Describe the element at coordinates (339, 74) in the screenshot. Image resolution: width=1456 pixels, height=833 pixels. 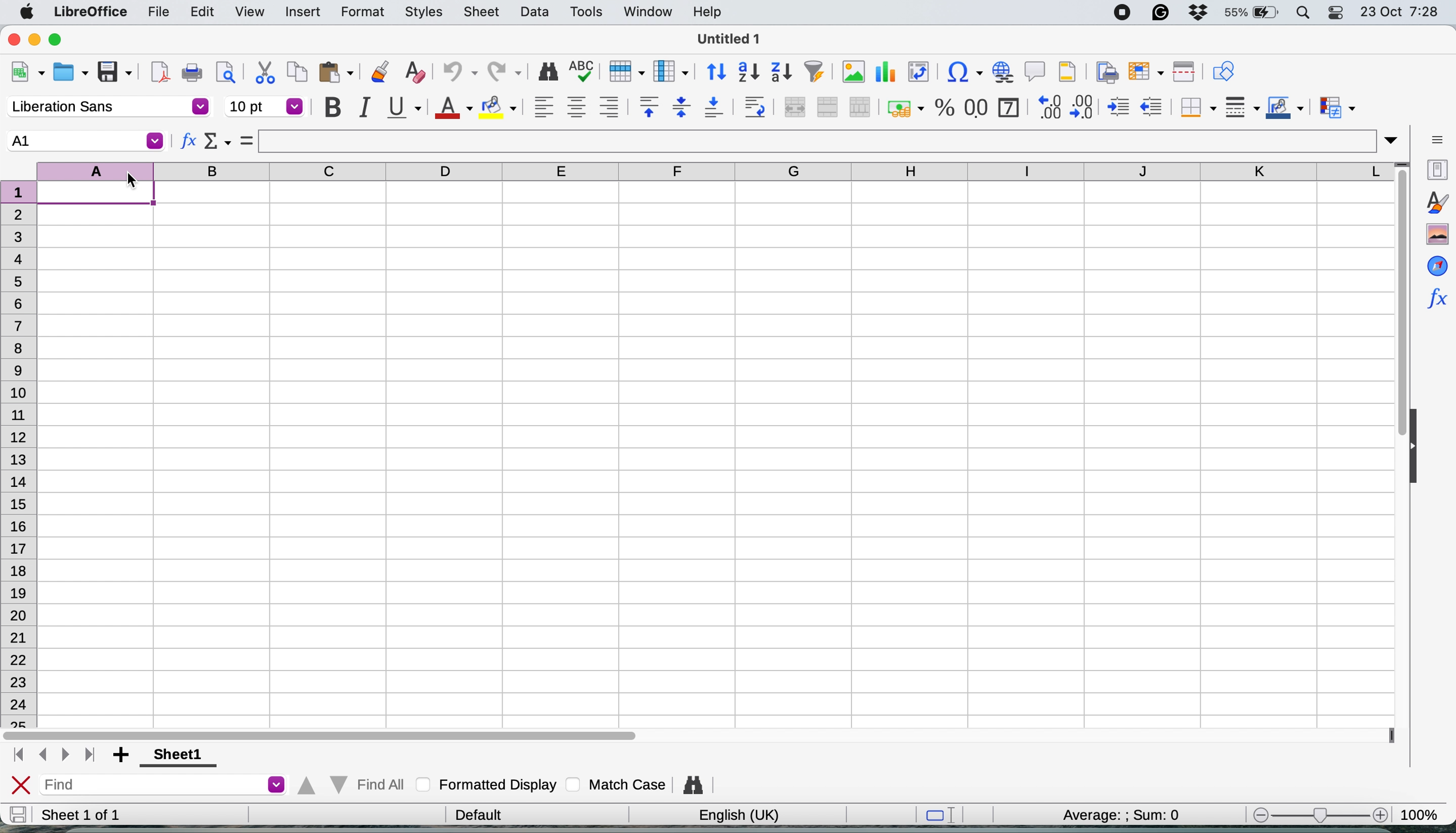
I see `paste` at that location.